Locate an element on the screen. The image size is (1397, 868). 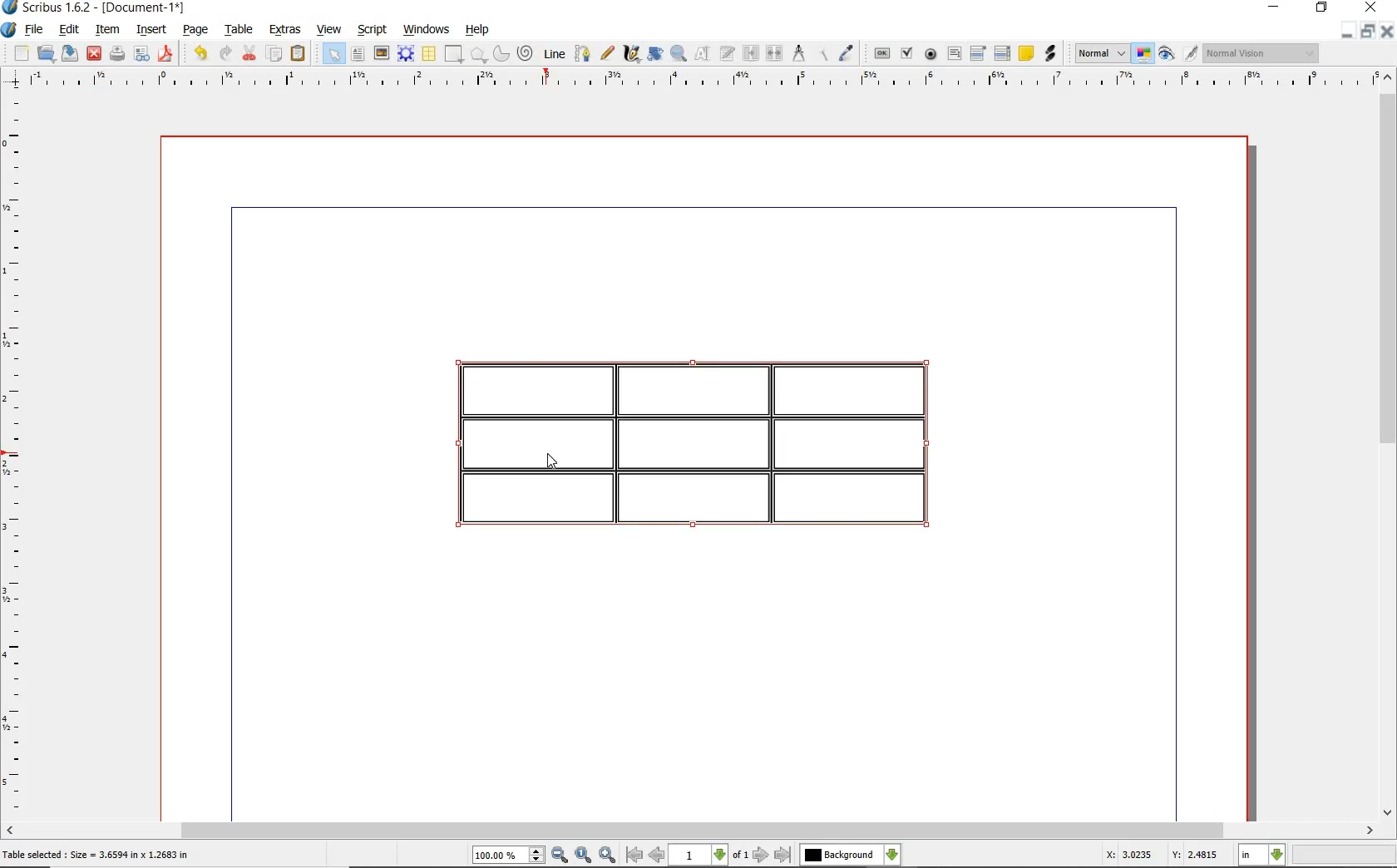
go to next page is located at coordinates (762, 854).